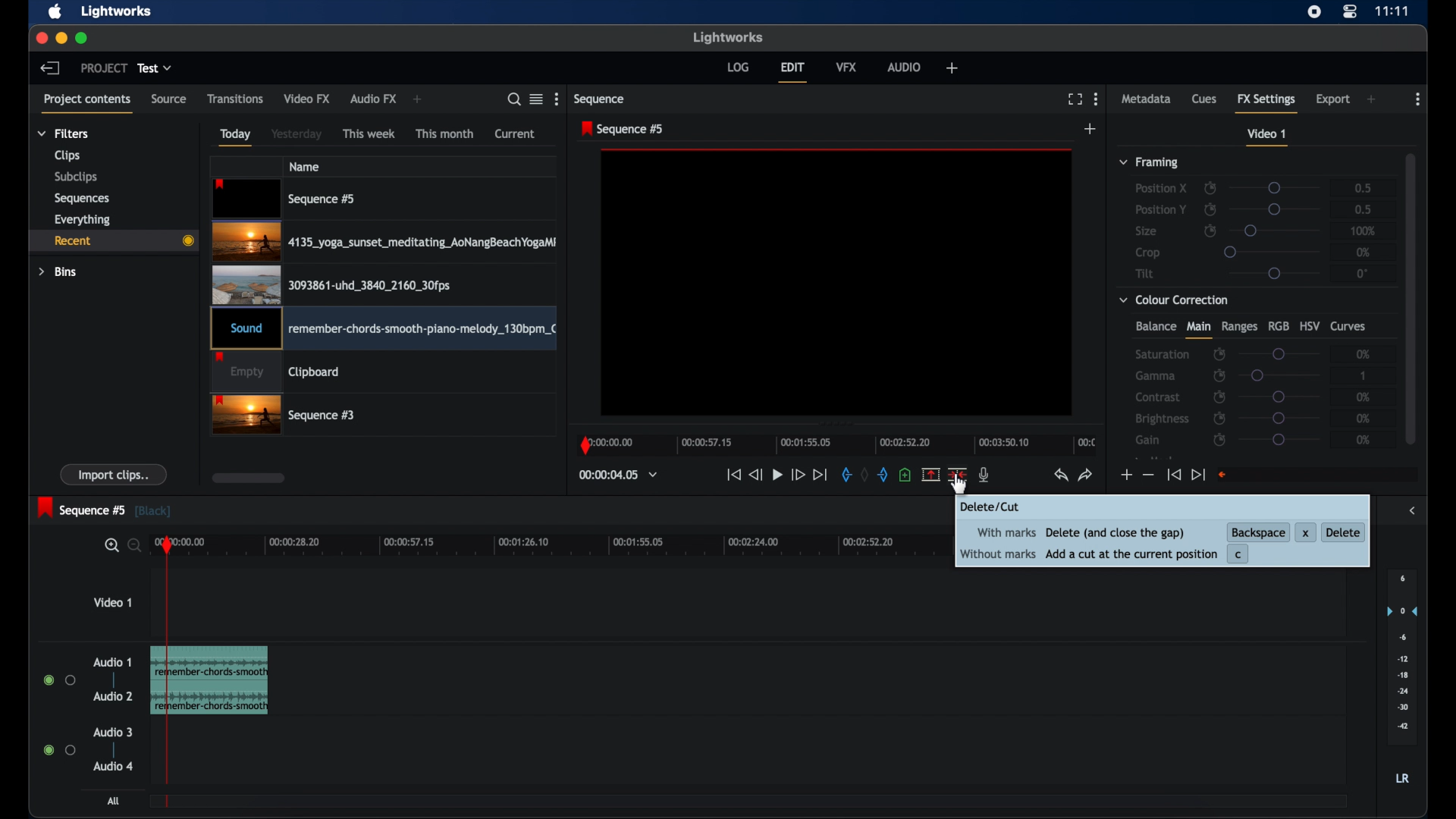 This screenshot has height=819, width=1456. What do you see at coordinates (420, 99) in the screenshot?
I see `add` at bounding box center [420, 99].